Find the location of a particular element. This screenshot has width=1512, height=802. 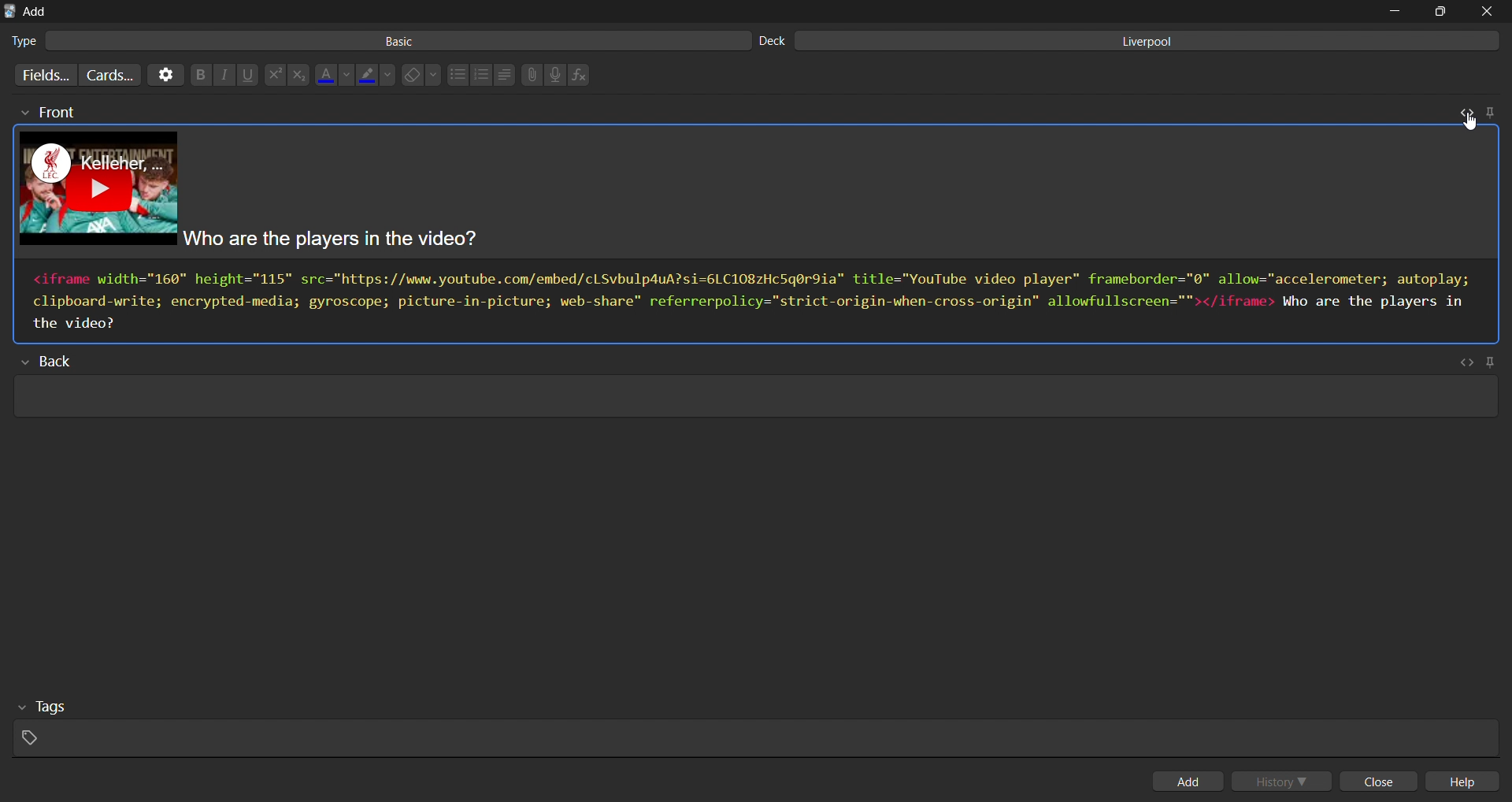

html editor is located at coordinates (757, 301).